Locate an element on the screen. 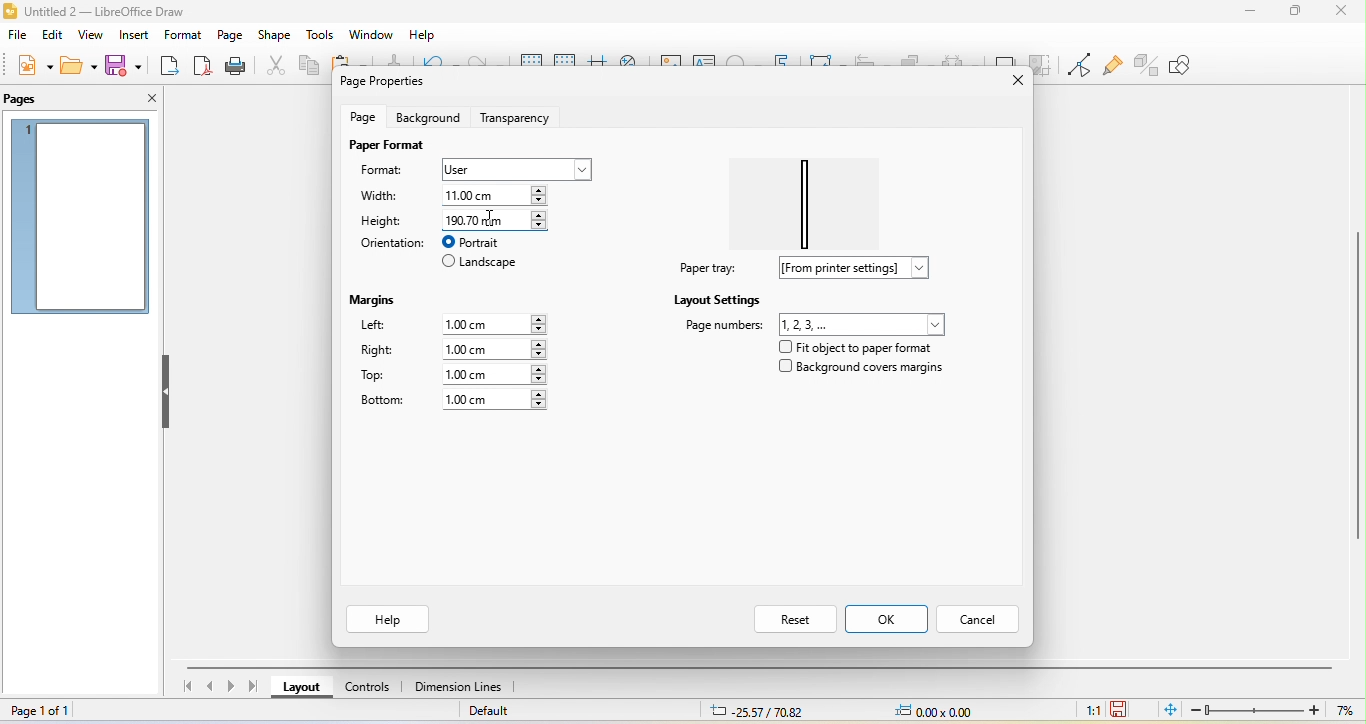  page number is located at coordinates (816, 323).